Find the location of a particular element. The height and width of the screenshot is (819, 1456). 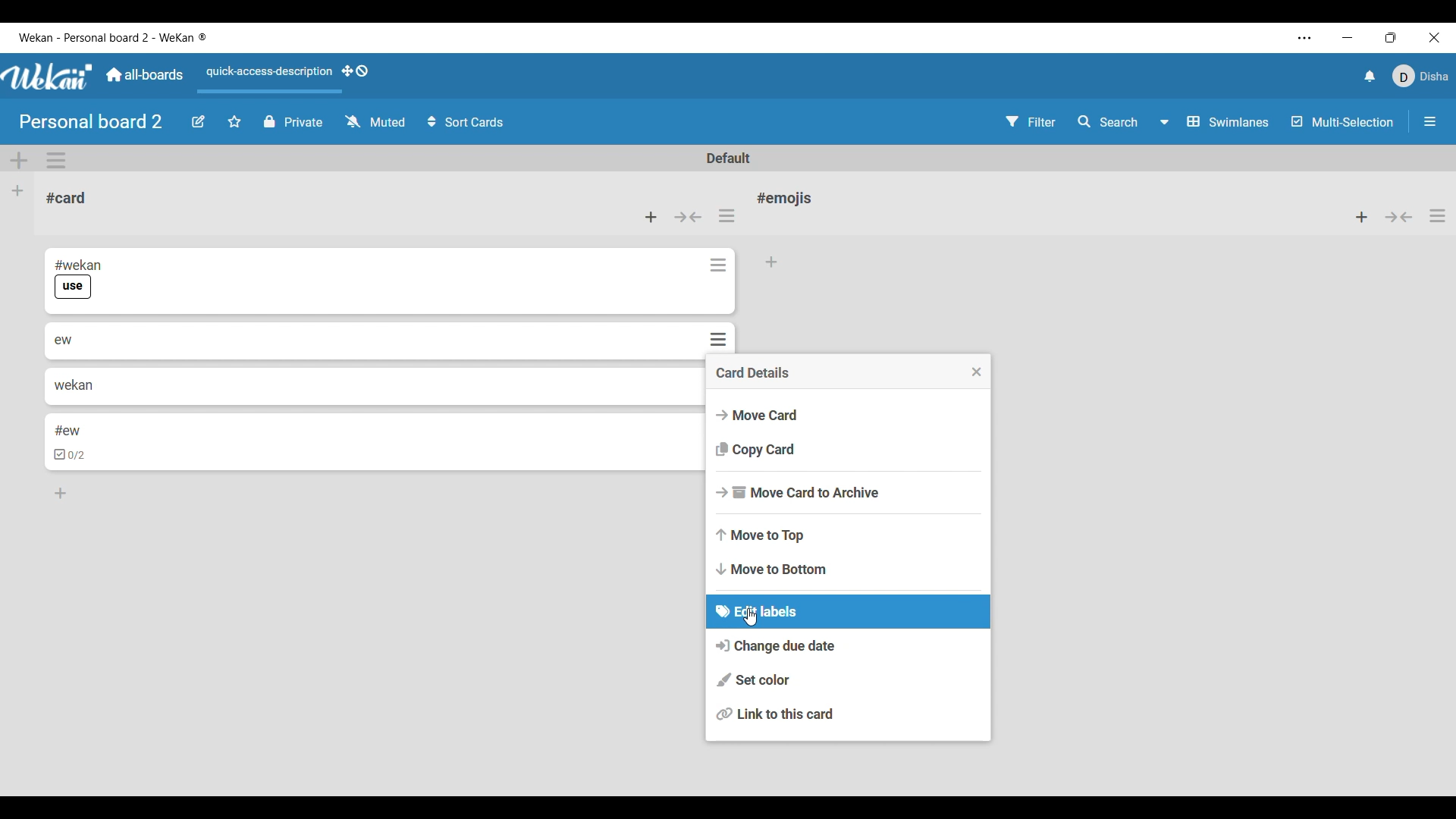

Edit labels current selection highlighted is located at coordinates (849, 611).